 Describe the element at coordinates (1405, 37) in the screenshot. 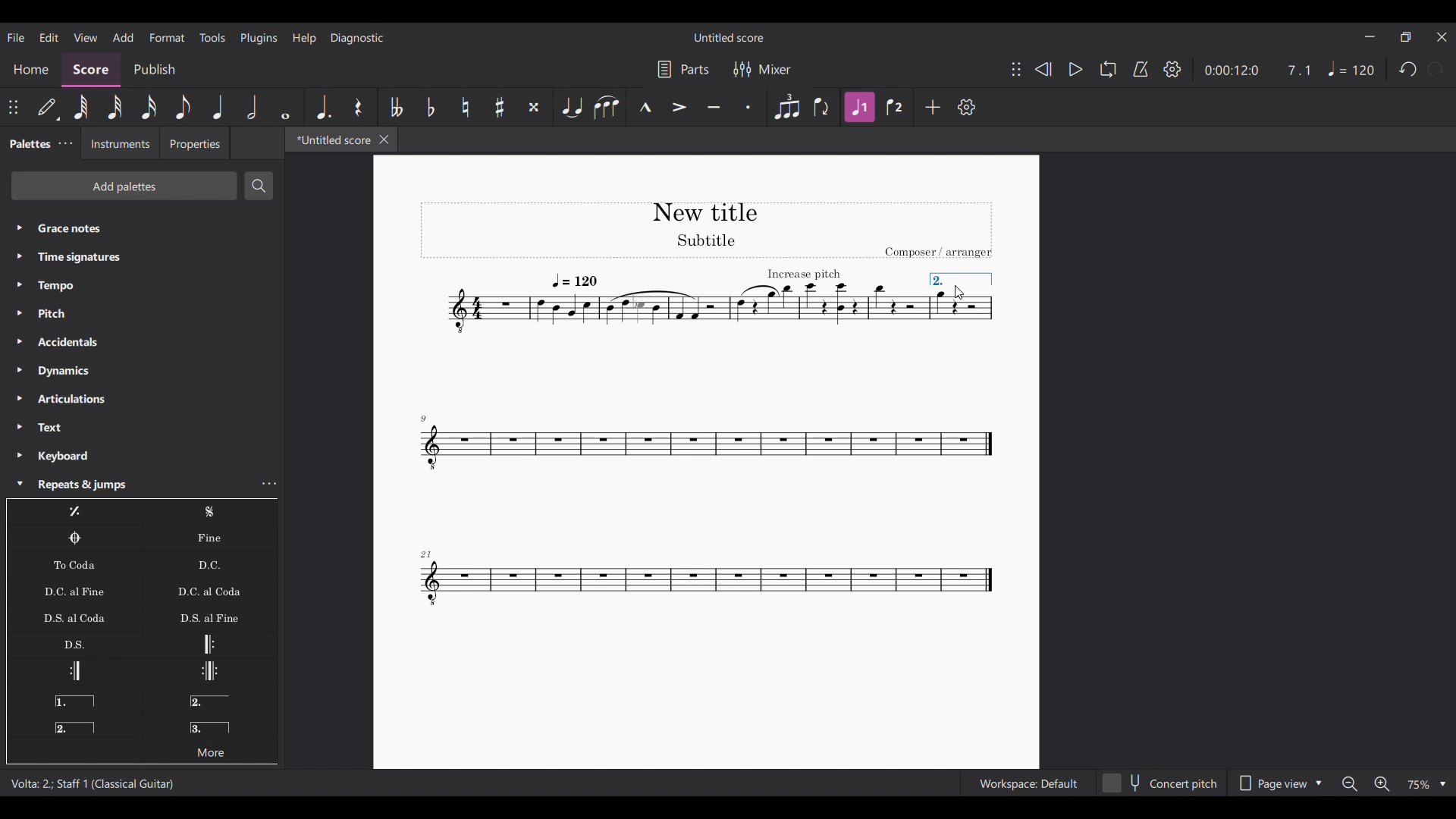

I see `Show in smaller tab` at that location.